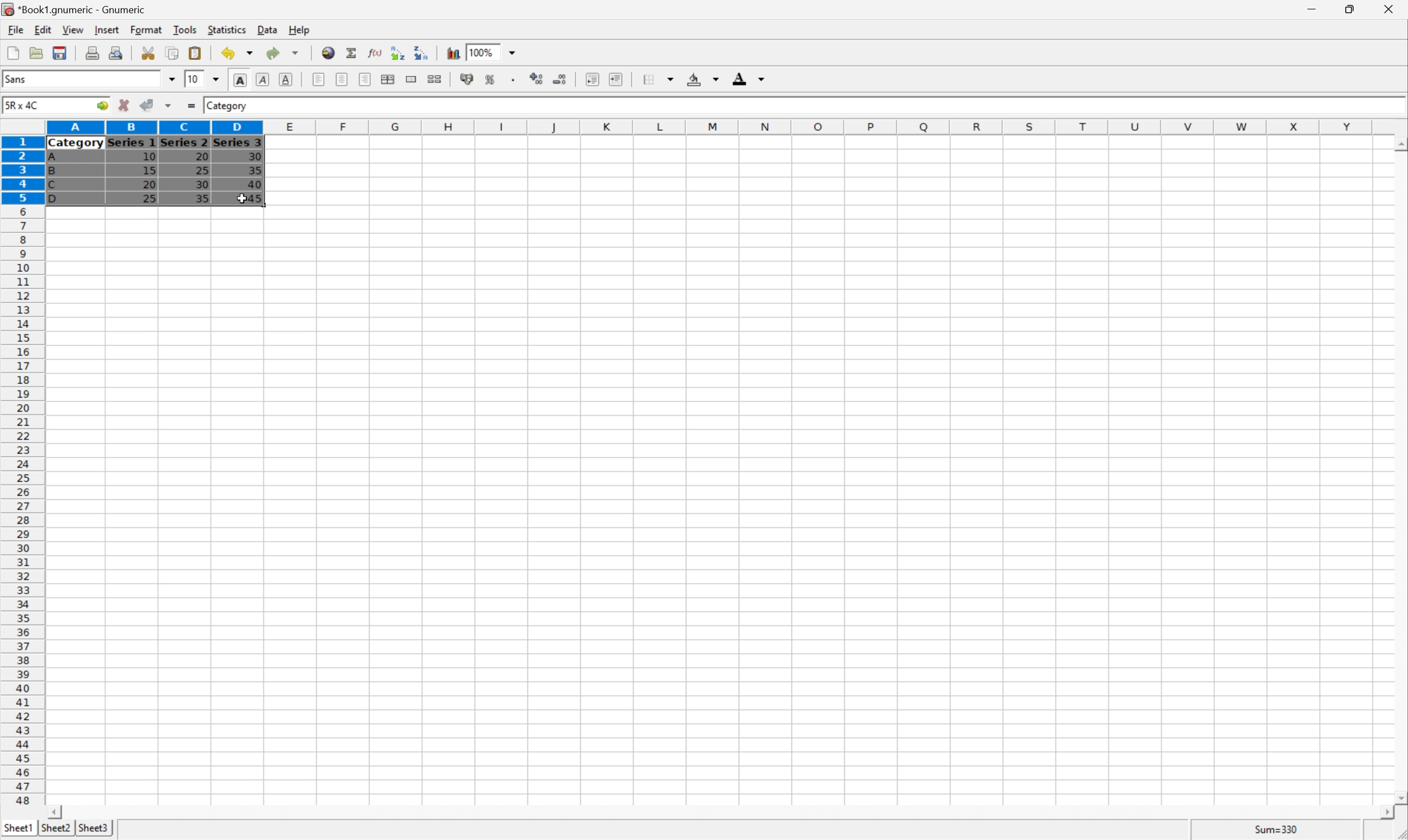  Describe the element at coordinates (95, 828) in the screenshot. I see `Sheet3` at that location.